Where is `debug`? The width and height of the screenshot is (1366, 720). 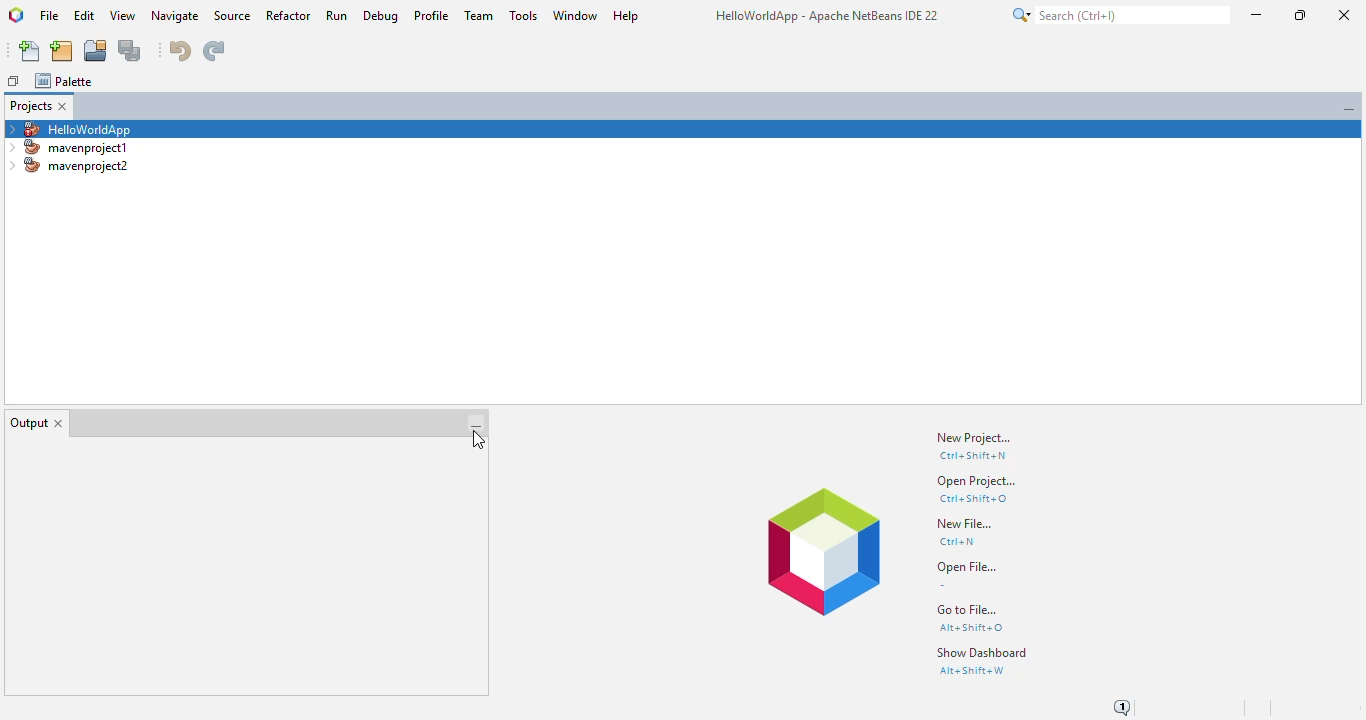 debug is located at coordinates (381, 16).